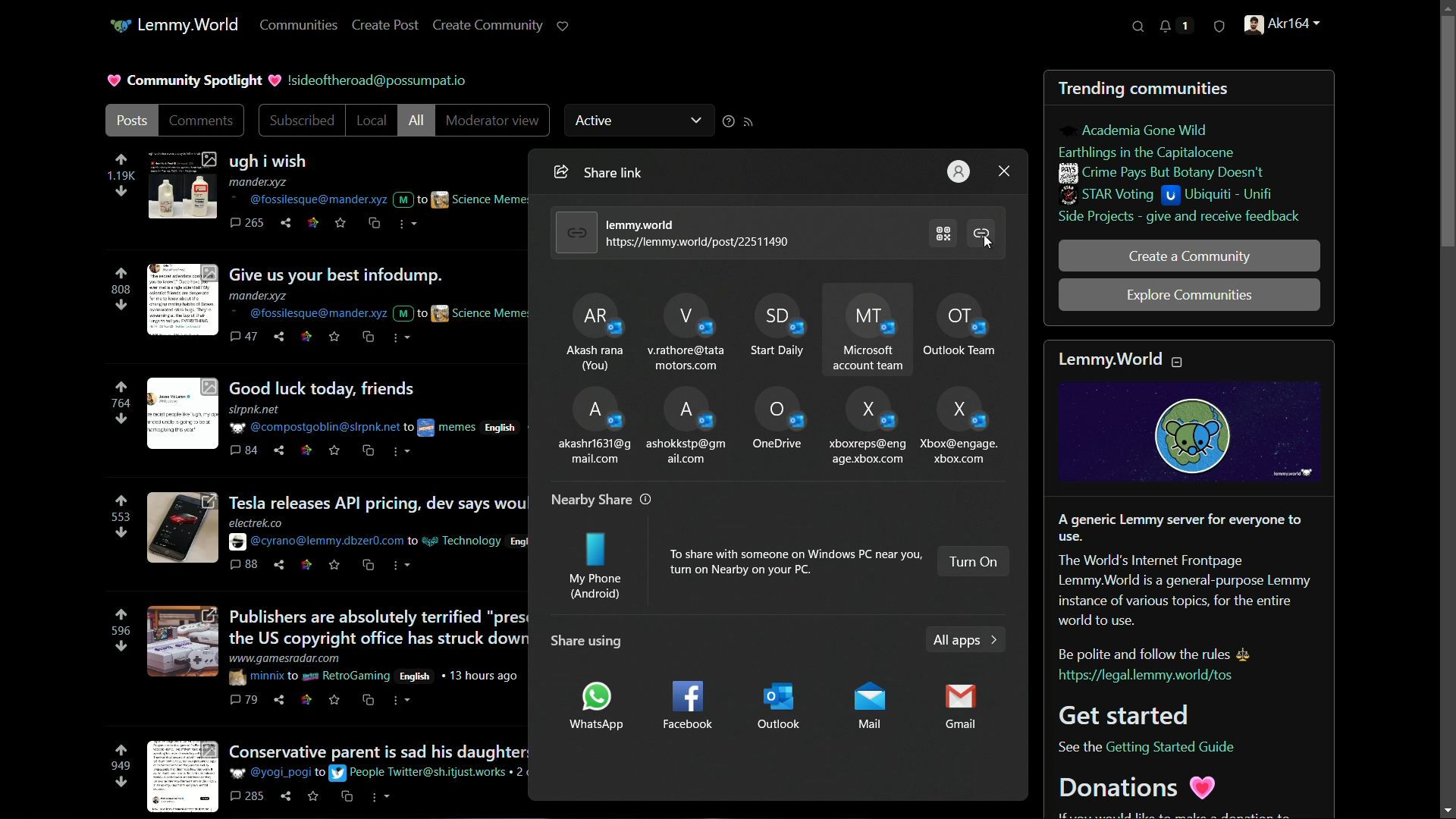 The height and width of the screenshot is (819, 1456). Describe the element at coordinates (783, 706) in the screenshot. I see `outlook` at that location.